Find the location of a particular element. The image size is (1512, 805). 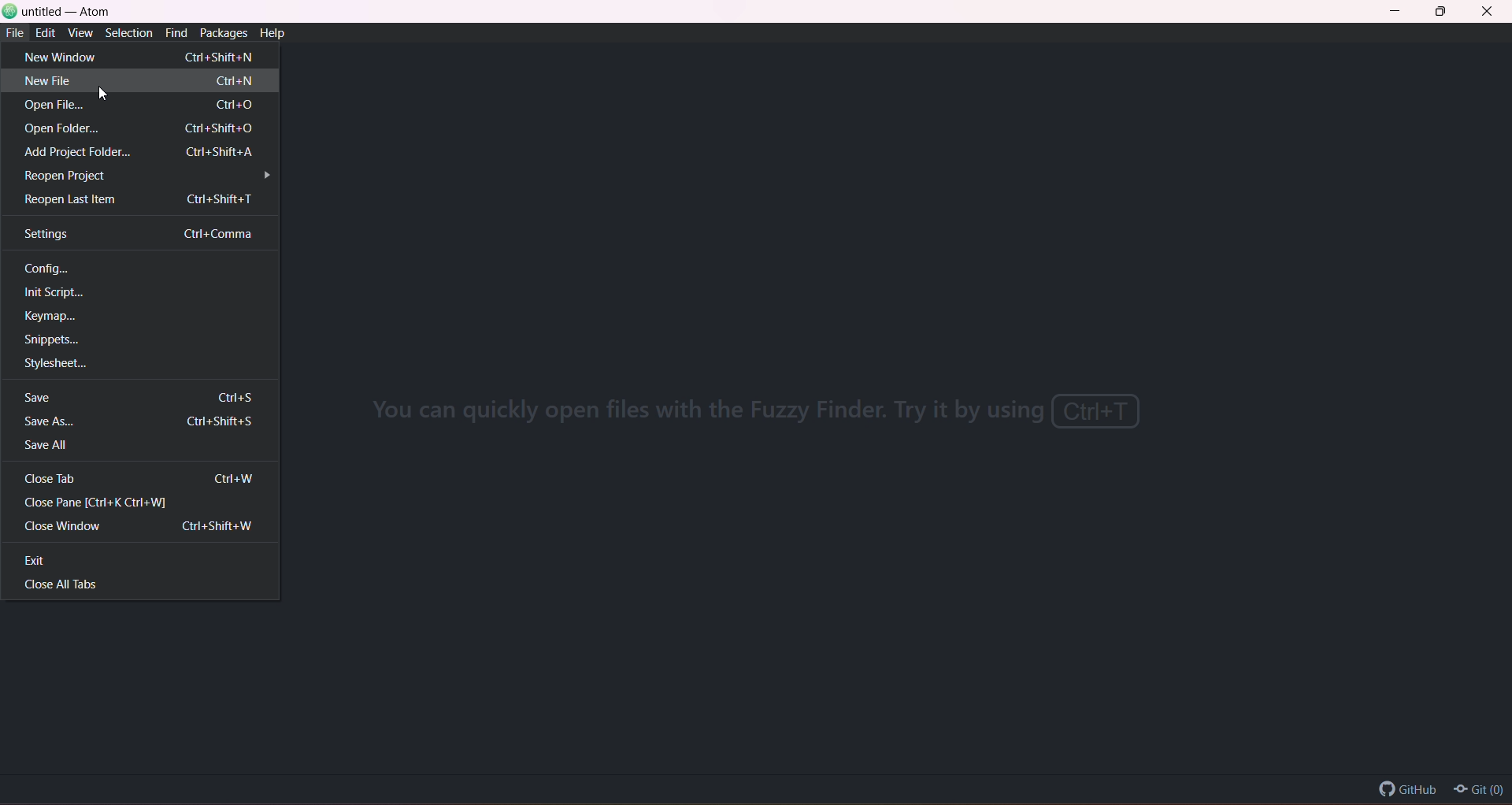

Minimize is located at coordinates (1402, 12).